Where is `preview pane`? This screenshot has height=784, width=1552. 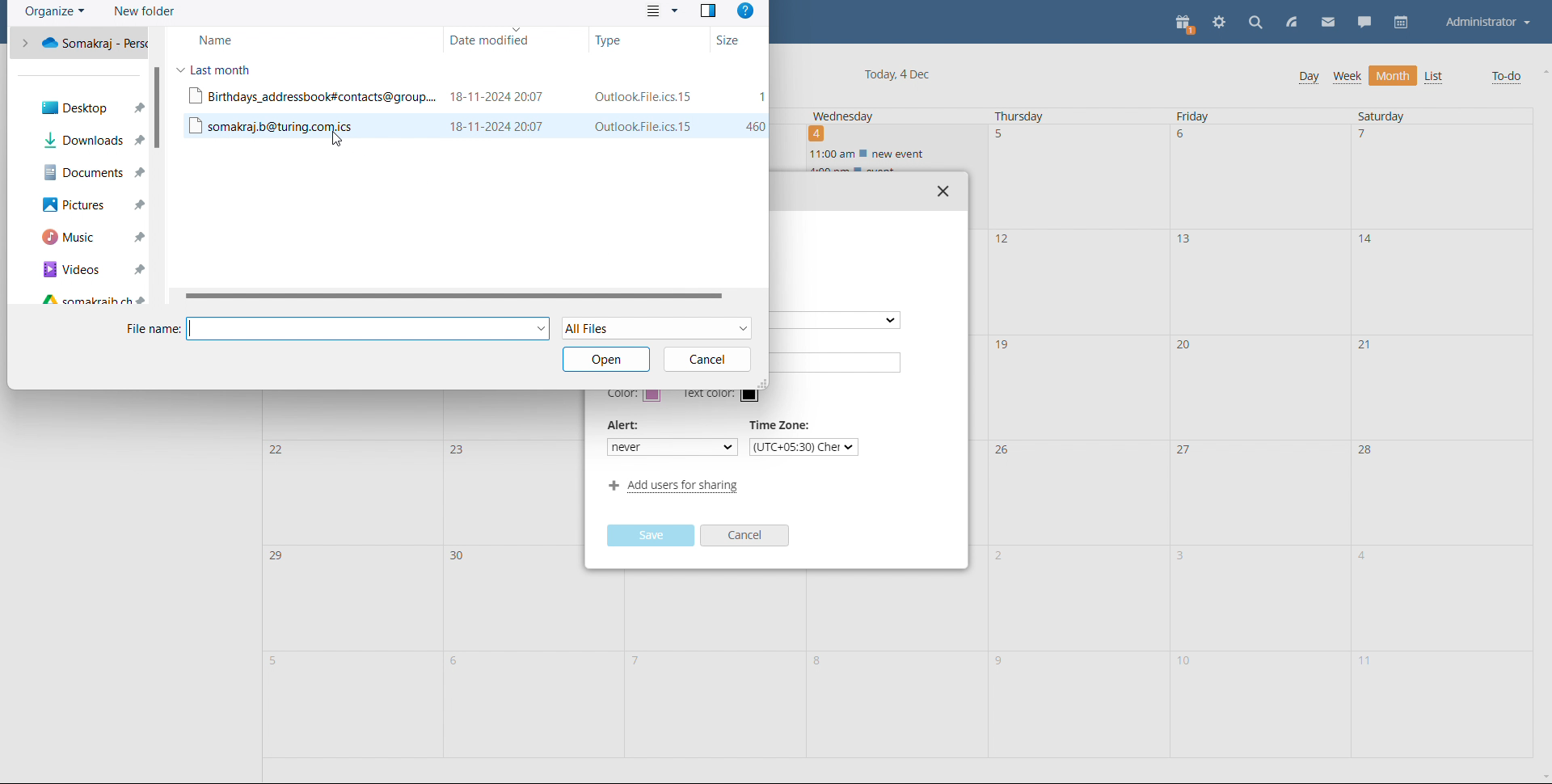
preview pane is located at coordinates (707, 11).